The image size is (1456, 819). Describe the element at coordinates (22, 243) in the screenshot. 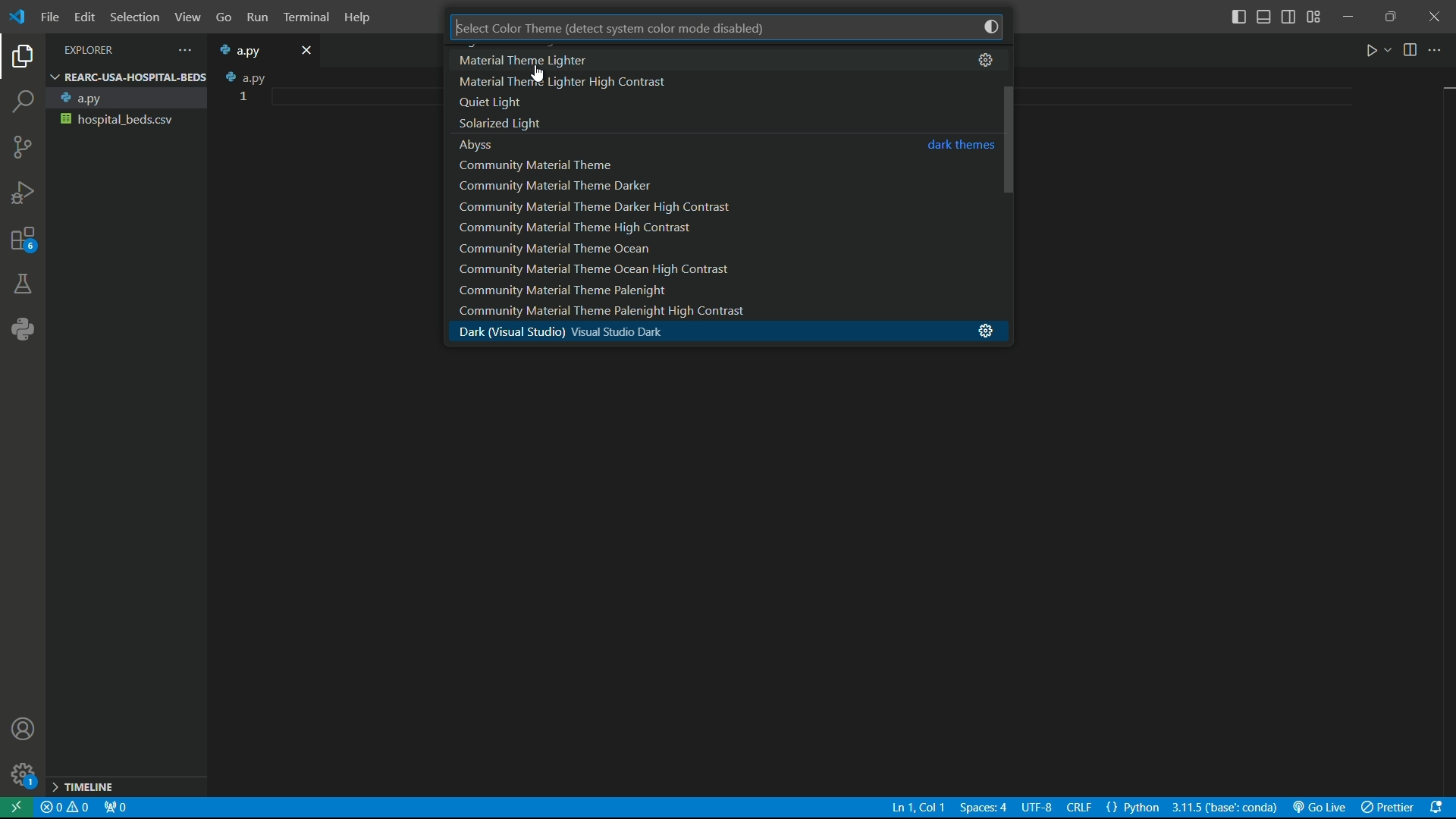

I see `extensions` at that location.